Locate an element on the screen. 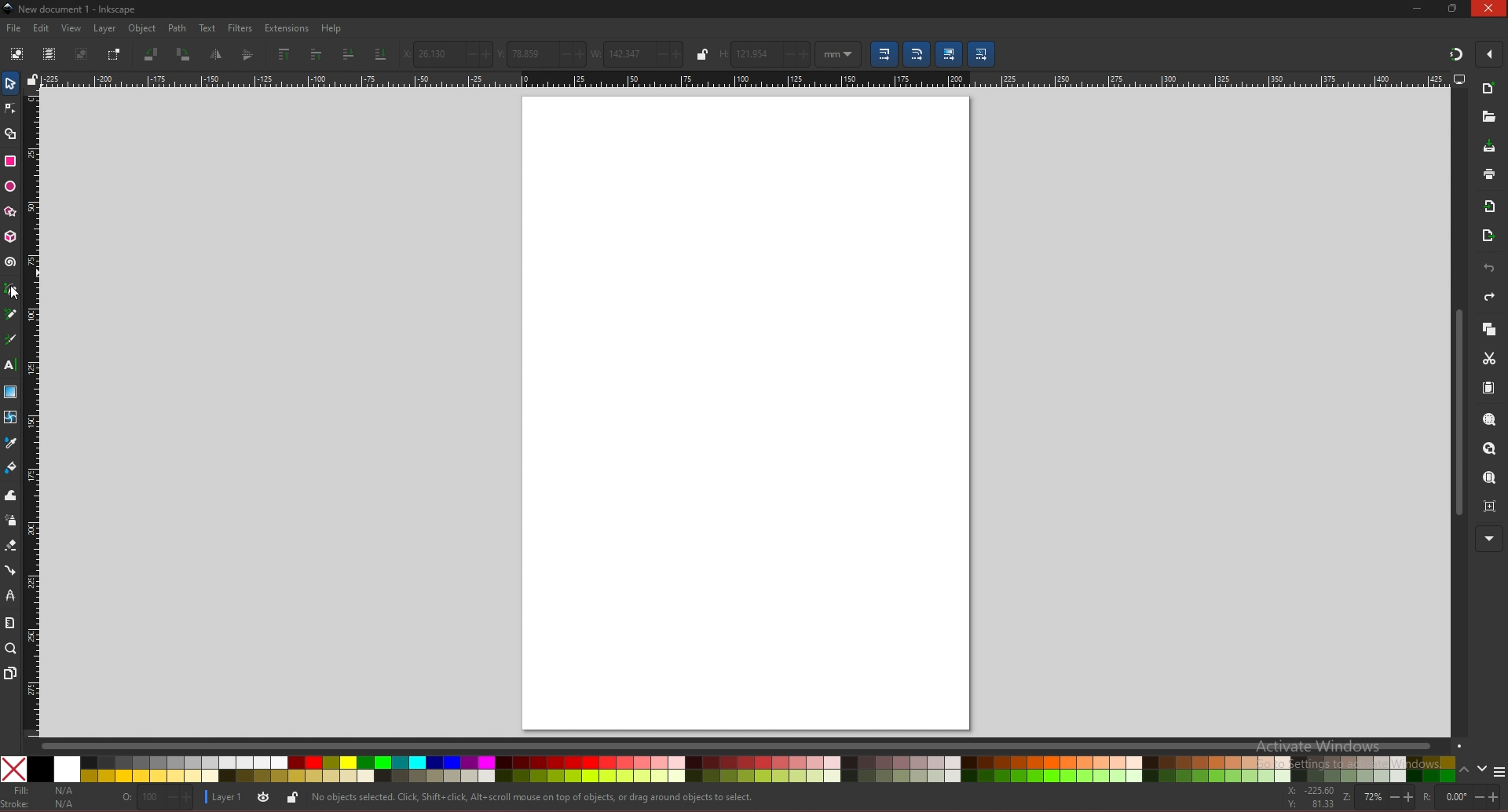 The image size is (1508, 812). stars and polygons is located at coordinates (11, 212).